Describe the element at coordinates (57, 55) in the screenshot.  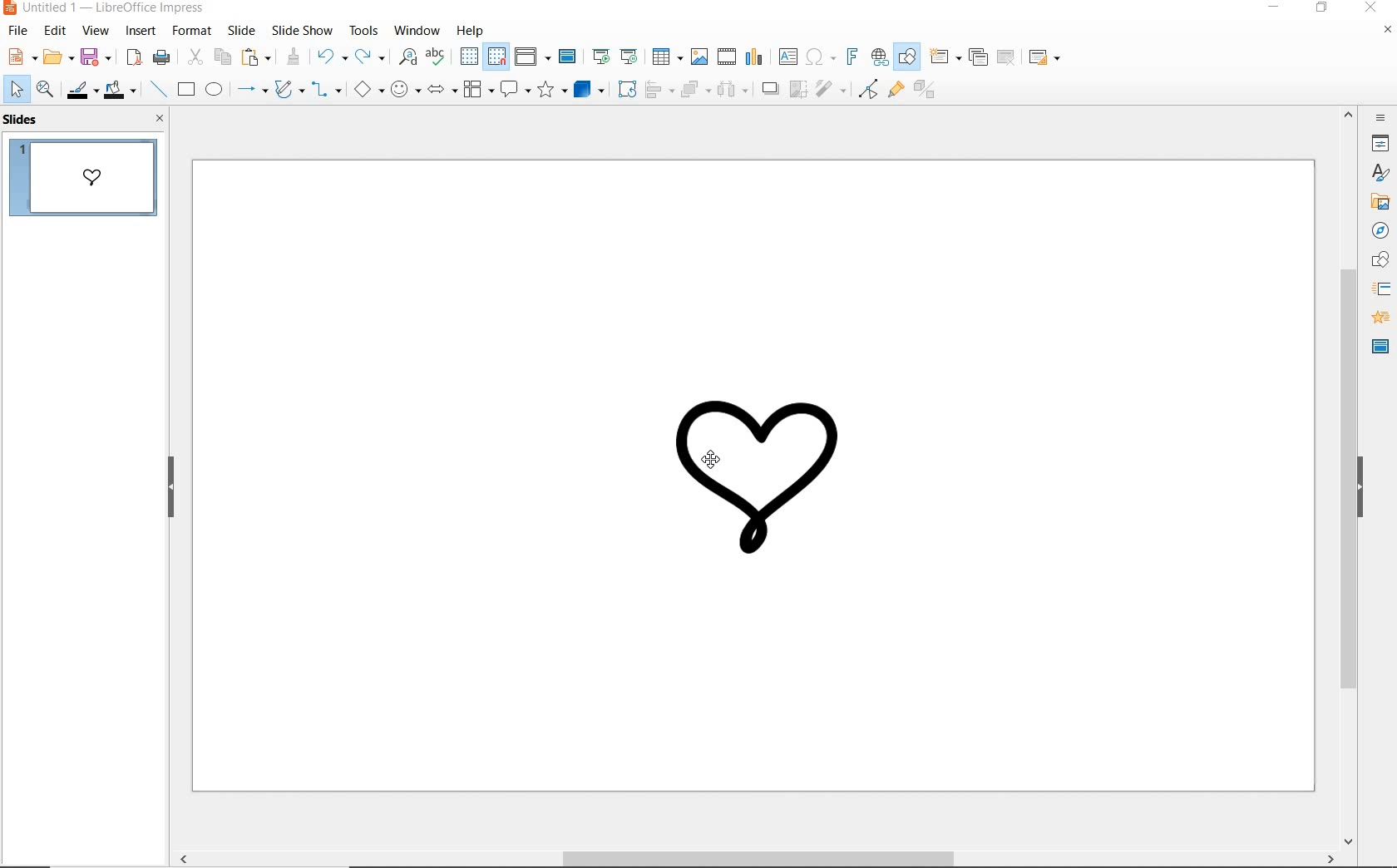
I see `open` at that location.